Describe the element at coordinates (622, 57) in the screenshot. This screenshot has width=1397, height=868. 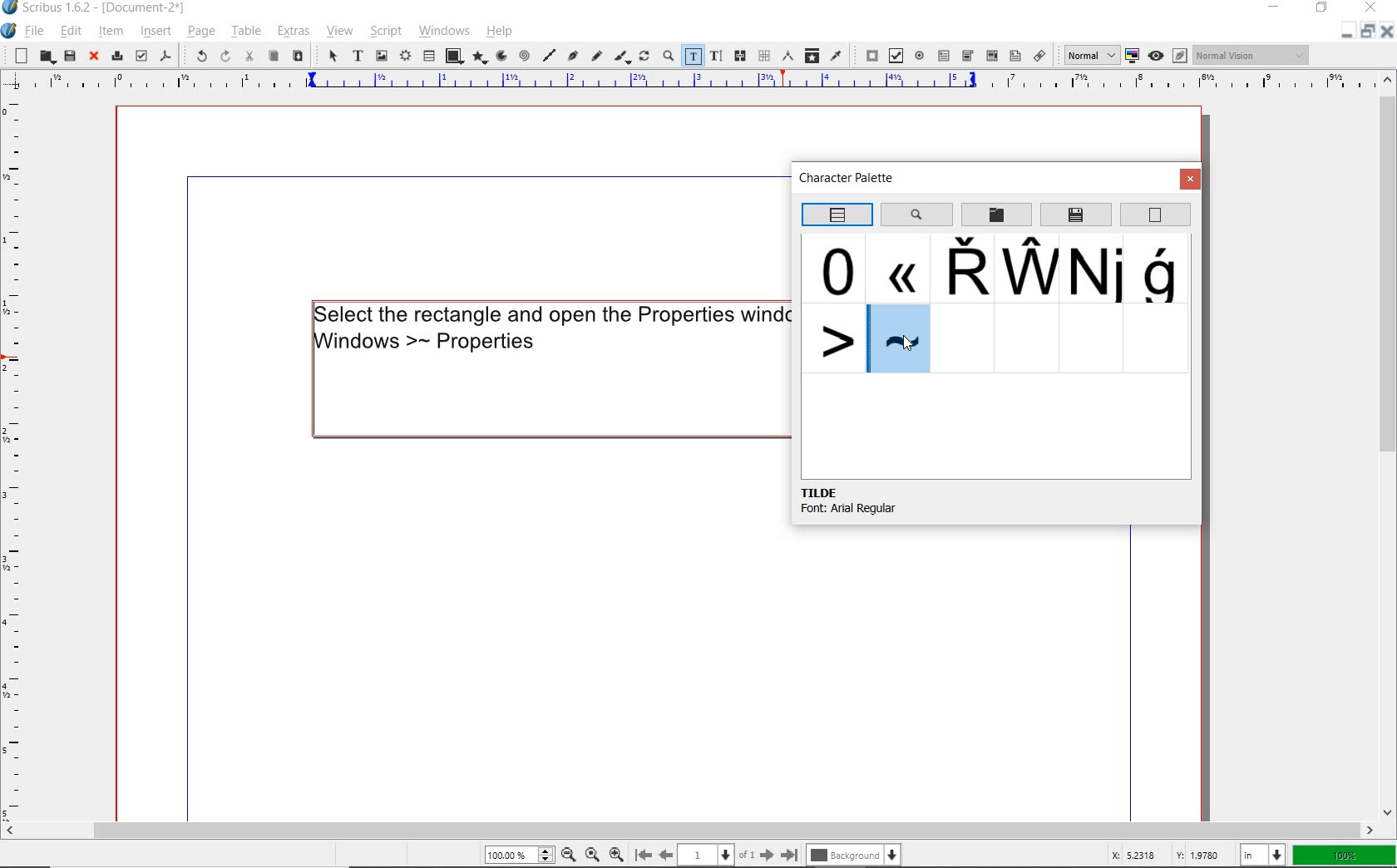
I see `calligraphic line` at that location.